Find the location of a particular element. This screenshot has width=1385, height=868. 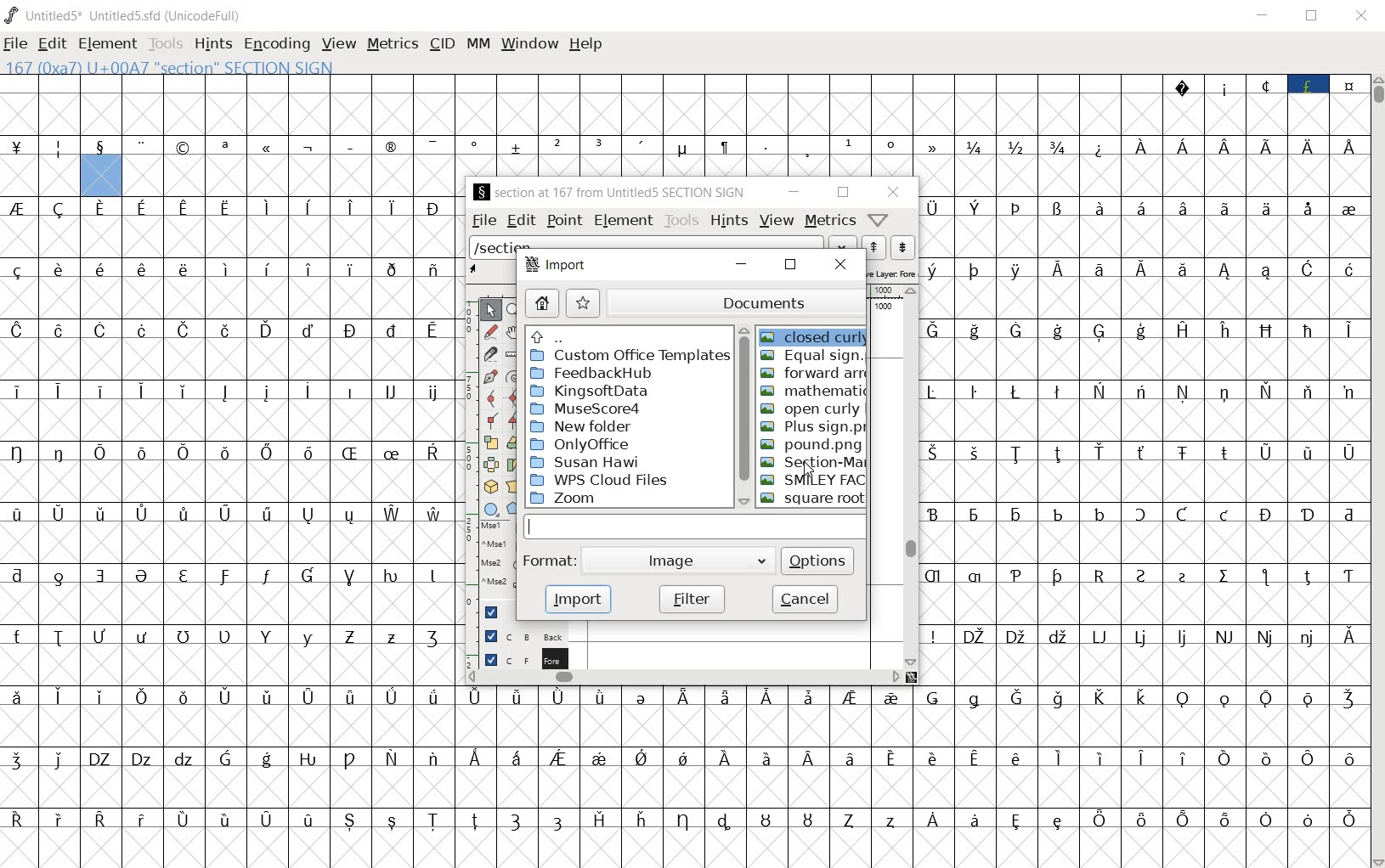

edit is located at coordinates (520, 221).